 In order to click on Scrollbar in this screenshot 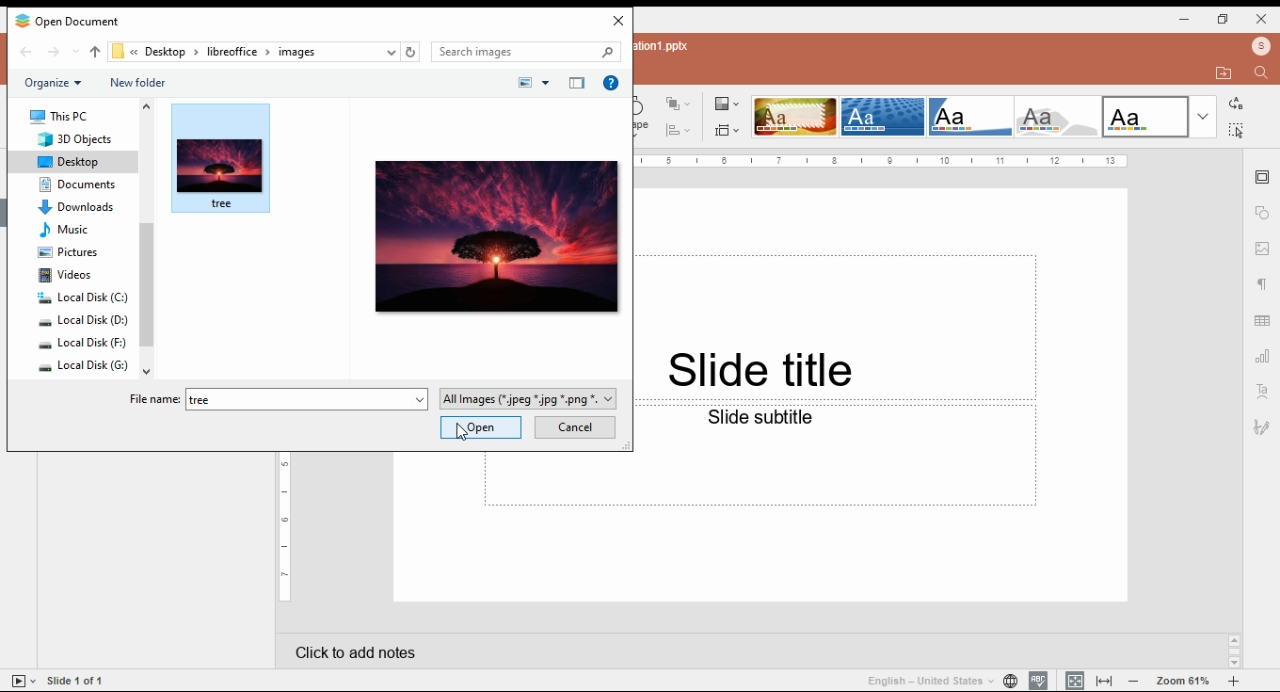, I will do `click(1232, 651)`.